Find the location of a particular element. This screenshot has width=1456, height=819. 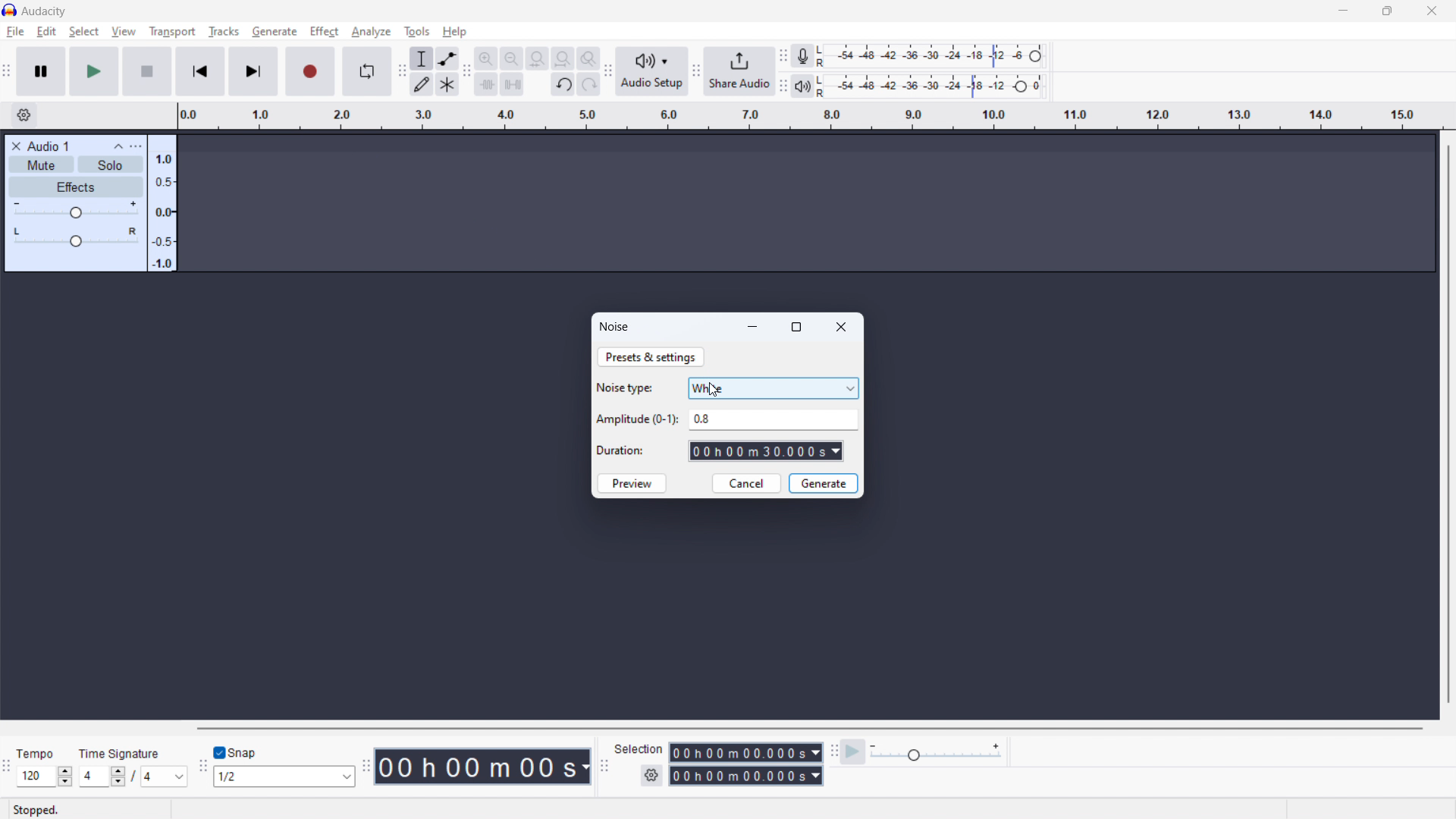

end time is located at coordinates (745, 775).